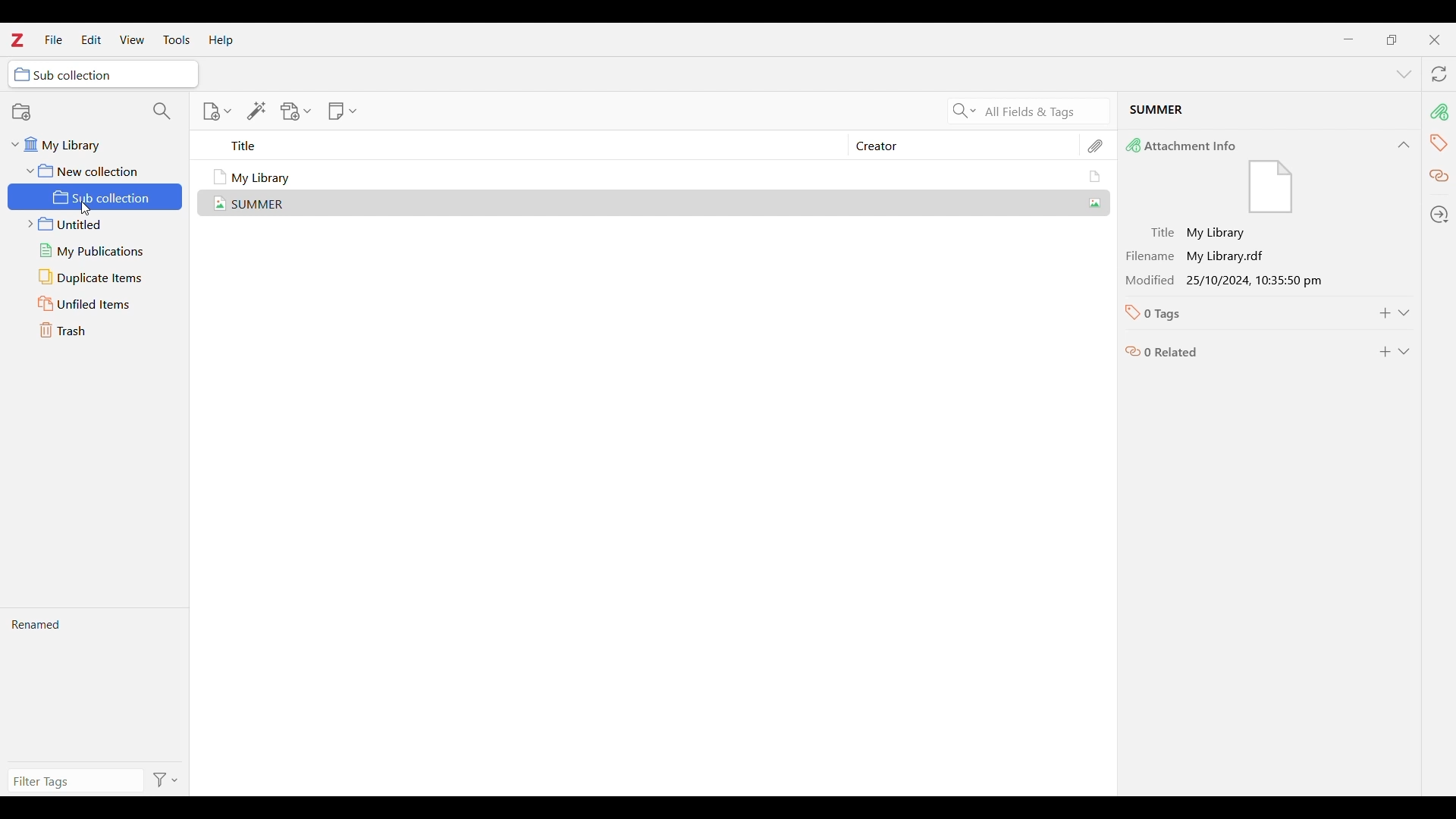 This screenshot has height=819, width=1456. What do you see at coordinates (94, 685) in the screenshot?
I see `Renamed` at bounding box center [94, 685].